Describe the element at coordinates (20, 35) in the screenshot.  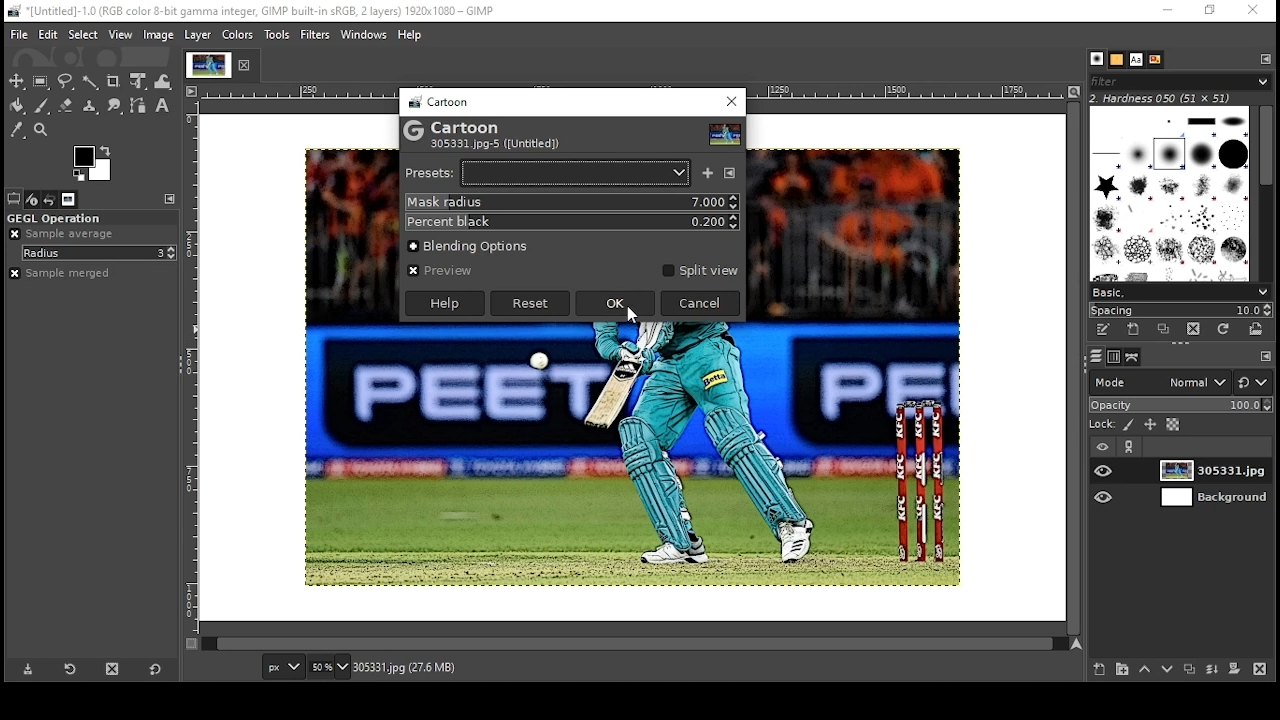
I see `file` at that location.